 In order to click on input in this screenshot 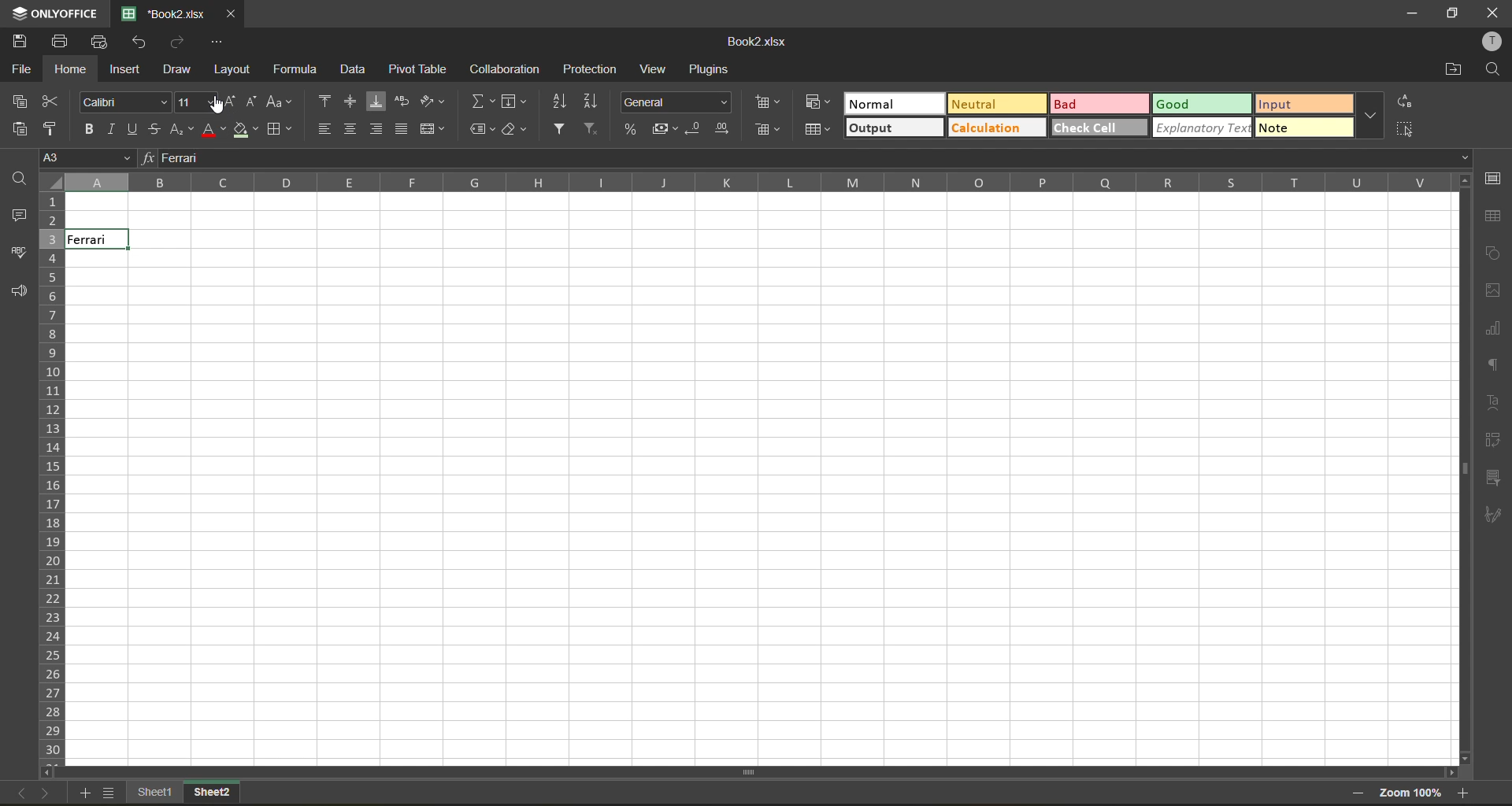, I will do `click(1306, 104)`.